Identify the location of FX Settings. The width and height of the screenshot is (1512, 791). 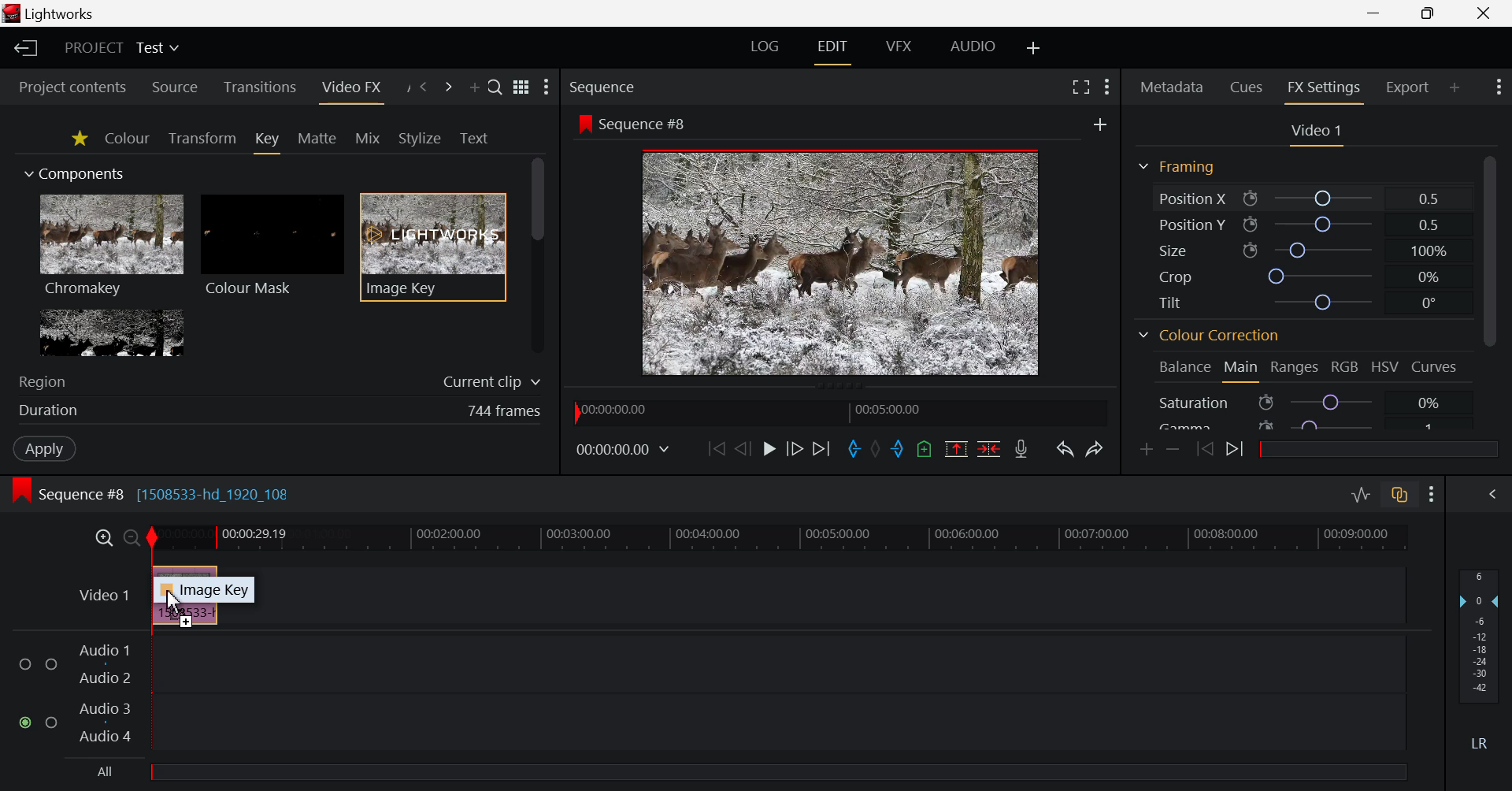
(1326, 89).